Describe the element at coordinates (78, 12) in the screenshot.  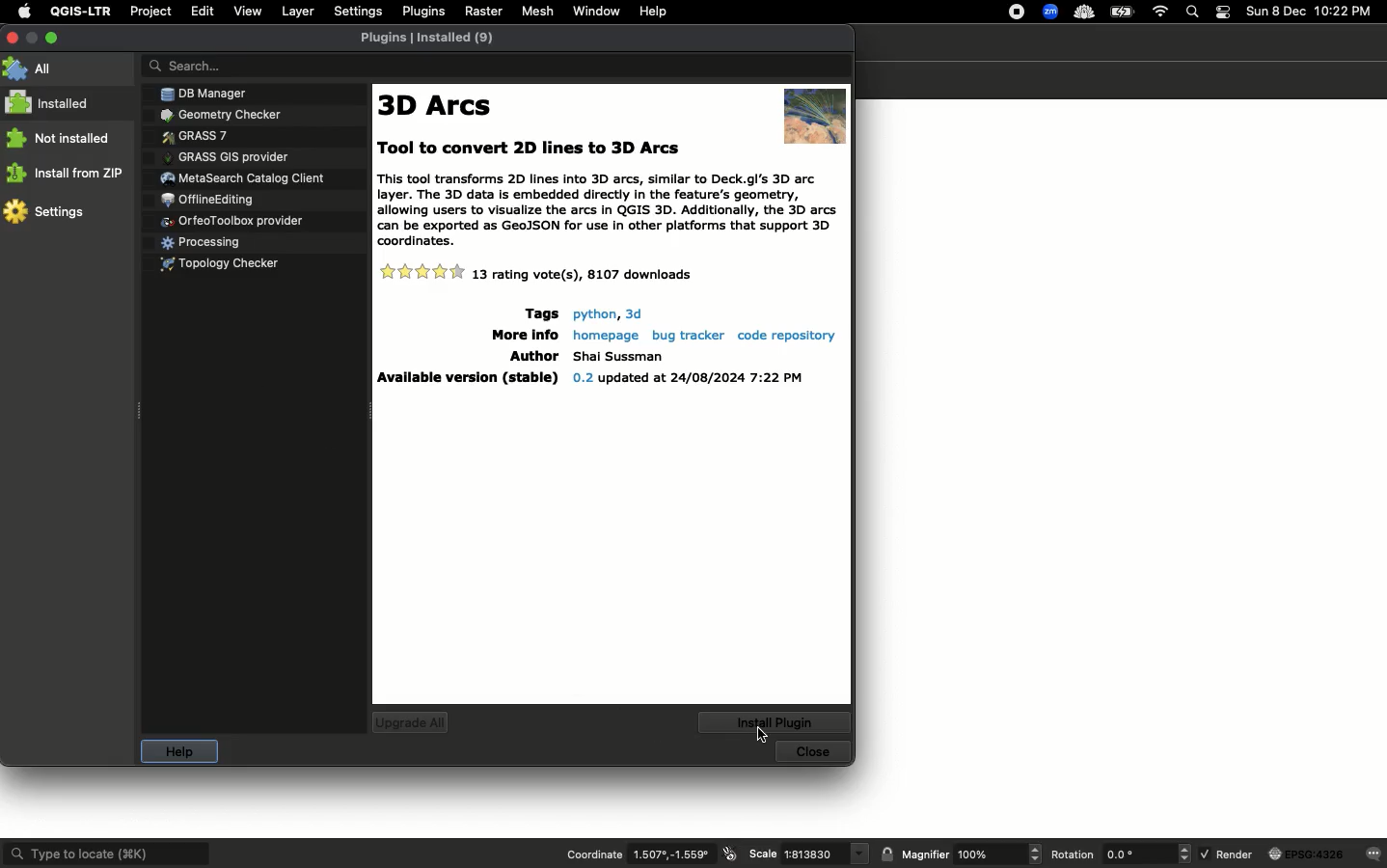
I see `QGIS` at that location.